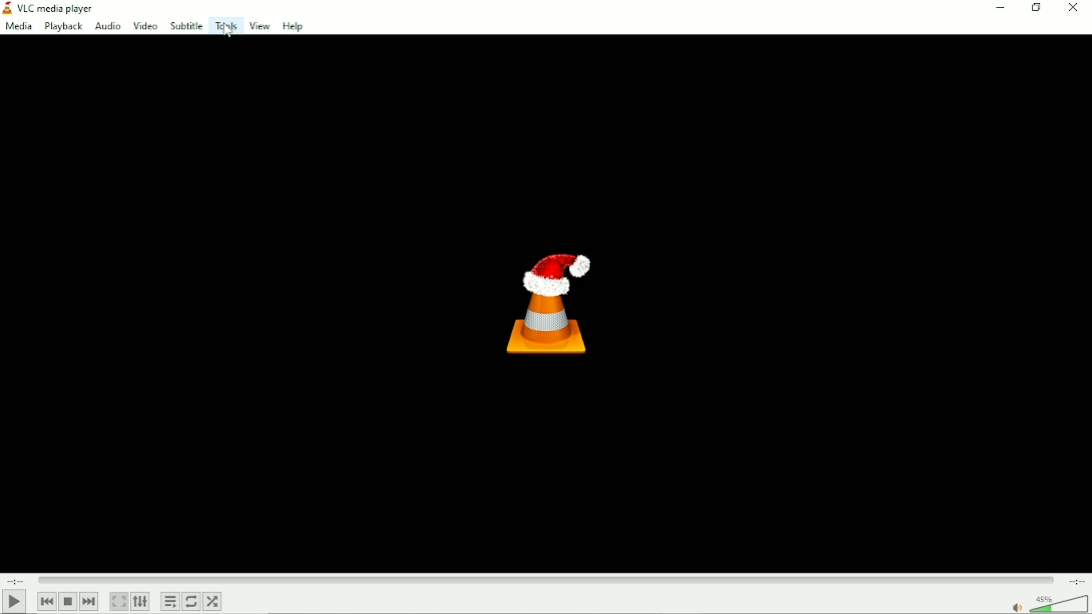 The width and height of the screenshot is (1092, 614). What do you see at coordinates (1074, 581) in the screenshot?
I see `total duration` at bounding box center [1074, 581].